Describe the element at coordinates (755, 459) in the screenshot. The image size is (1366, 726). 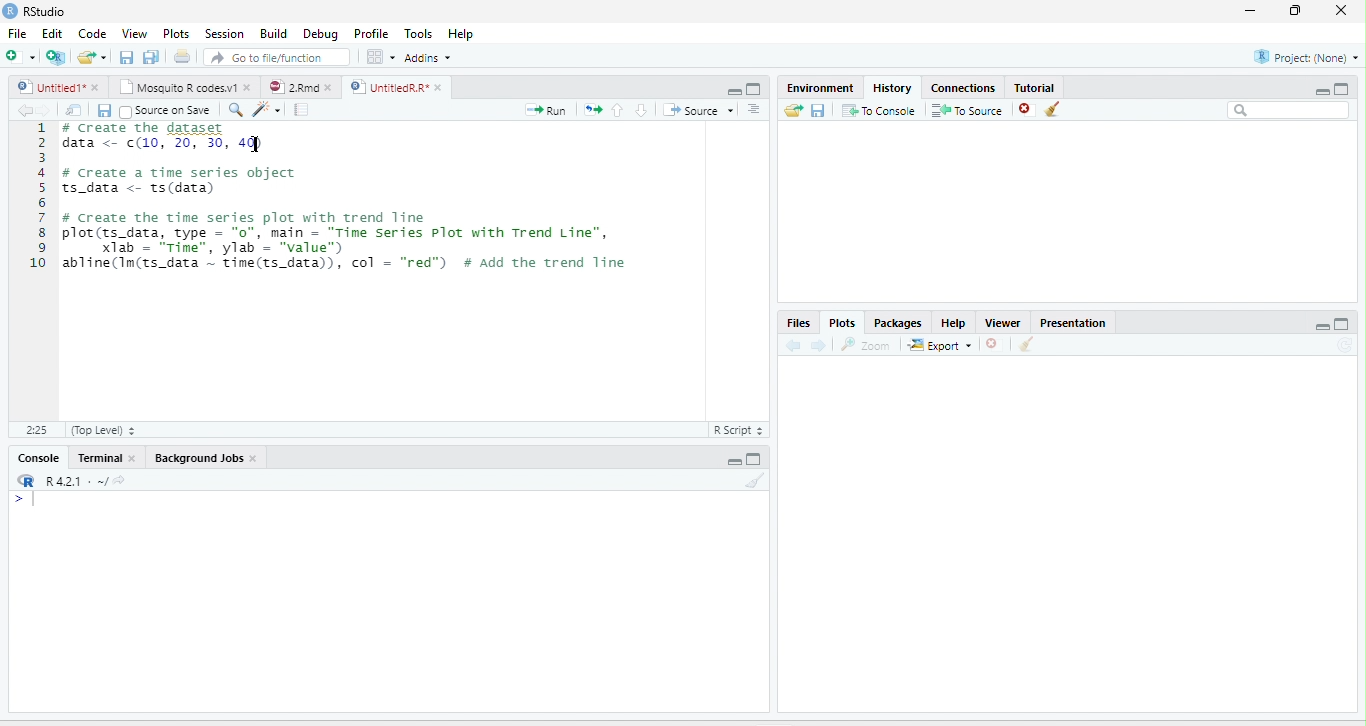
I see `Maximize` at that location.